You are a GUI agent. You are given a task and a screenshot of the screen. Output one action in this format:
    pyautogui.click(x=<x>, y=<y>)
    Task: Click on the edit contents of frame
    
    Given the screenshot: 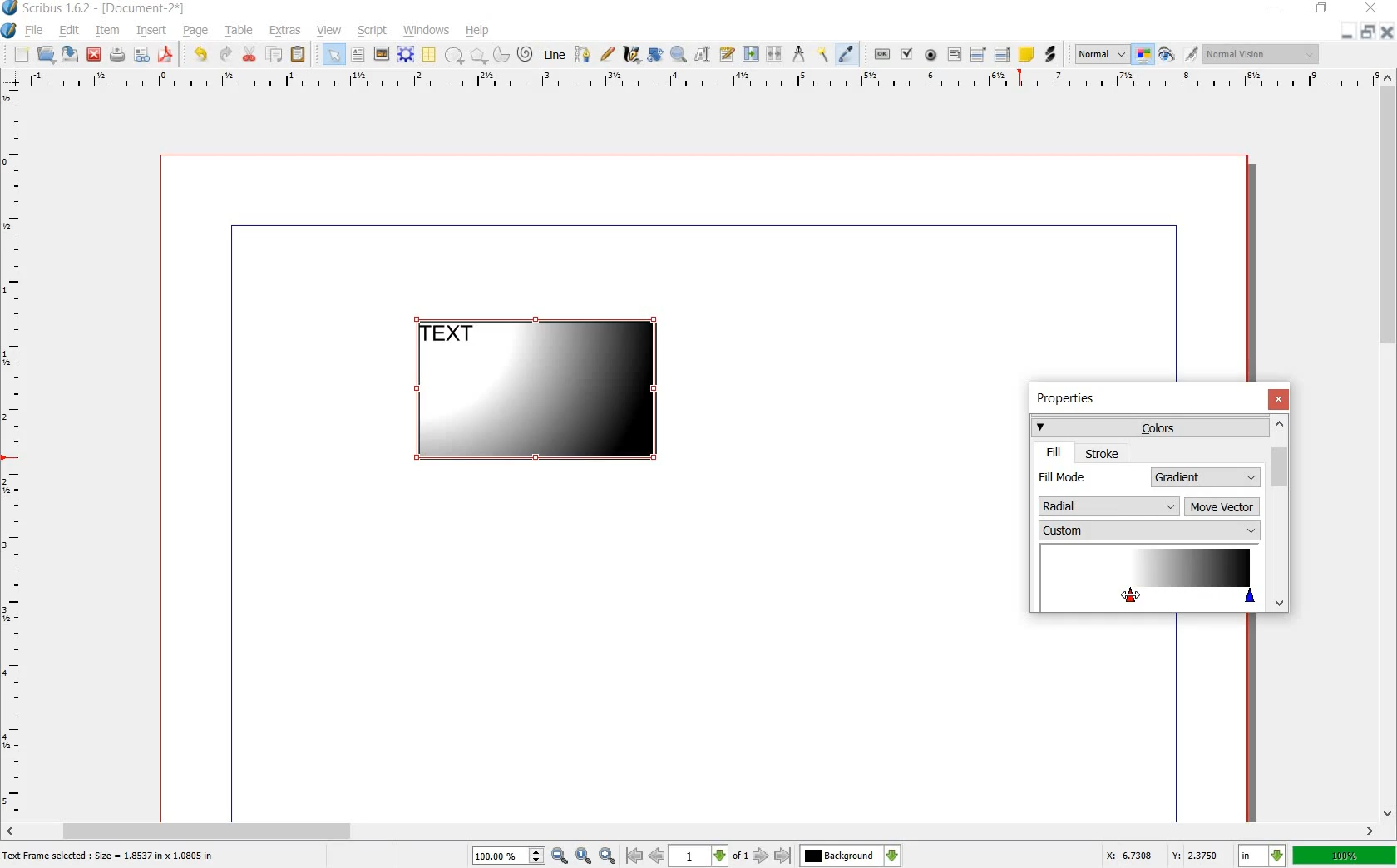 What is the action you would take?
    pyautogui.click(x=703, y=55)
    